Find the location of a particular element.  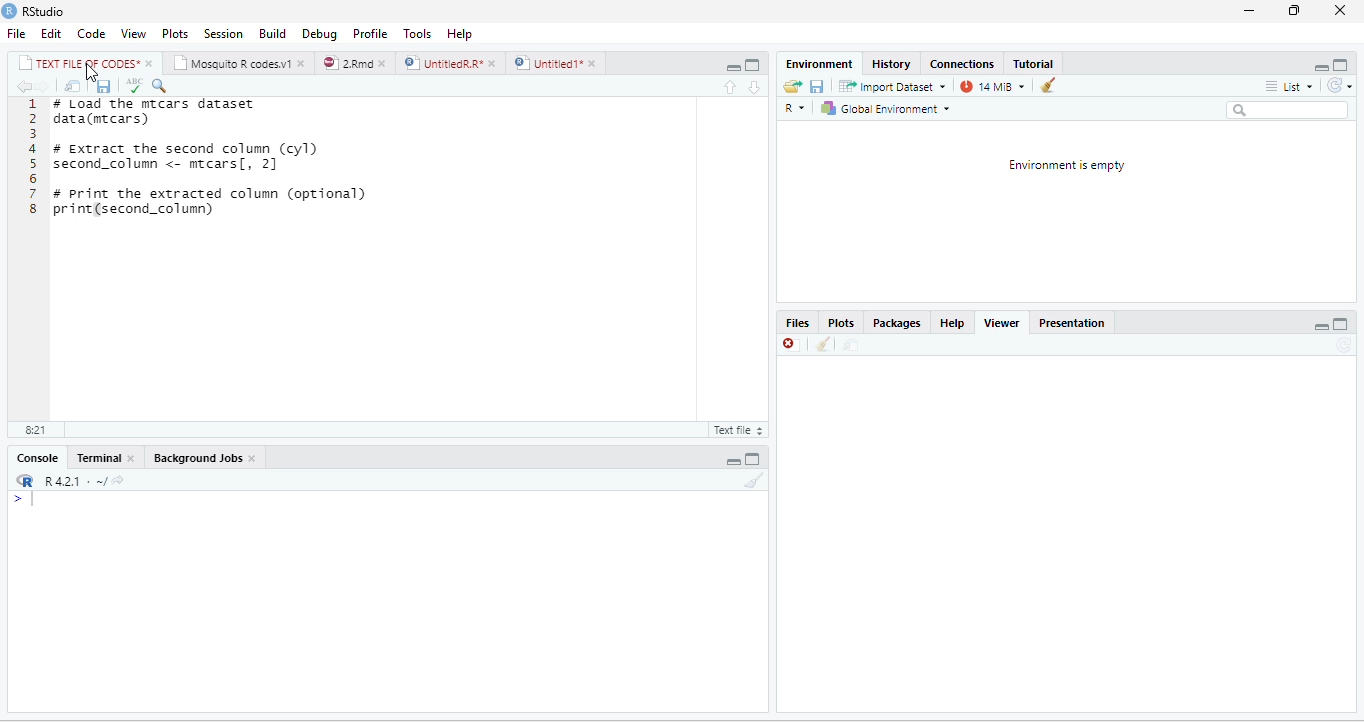

close is located at coordinates (384, 62).